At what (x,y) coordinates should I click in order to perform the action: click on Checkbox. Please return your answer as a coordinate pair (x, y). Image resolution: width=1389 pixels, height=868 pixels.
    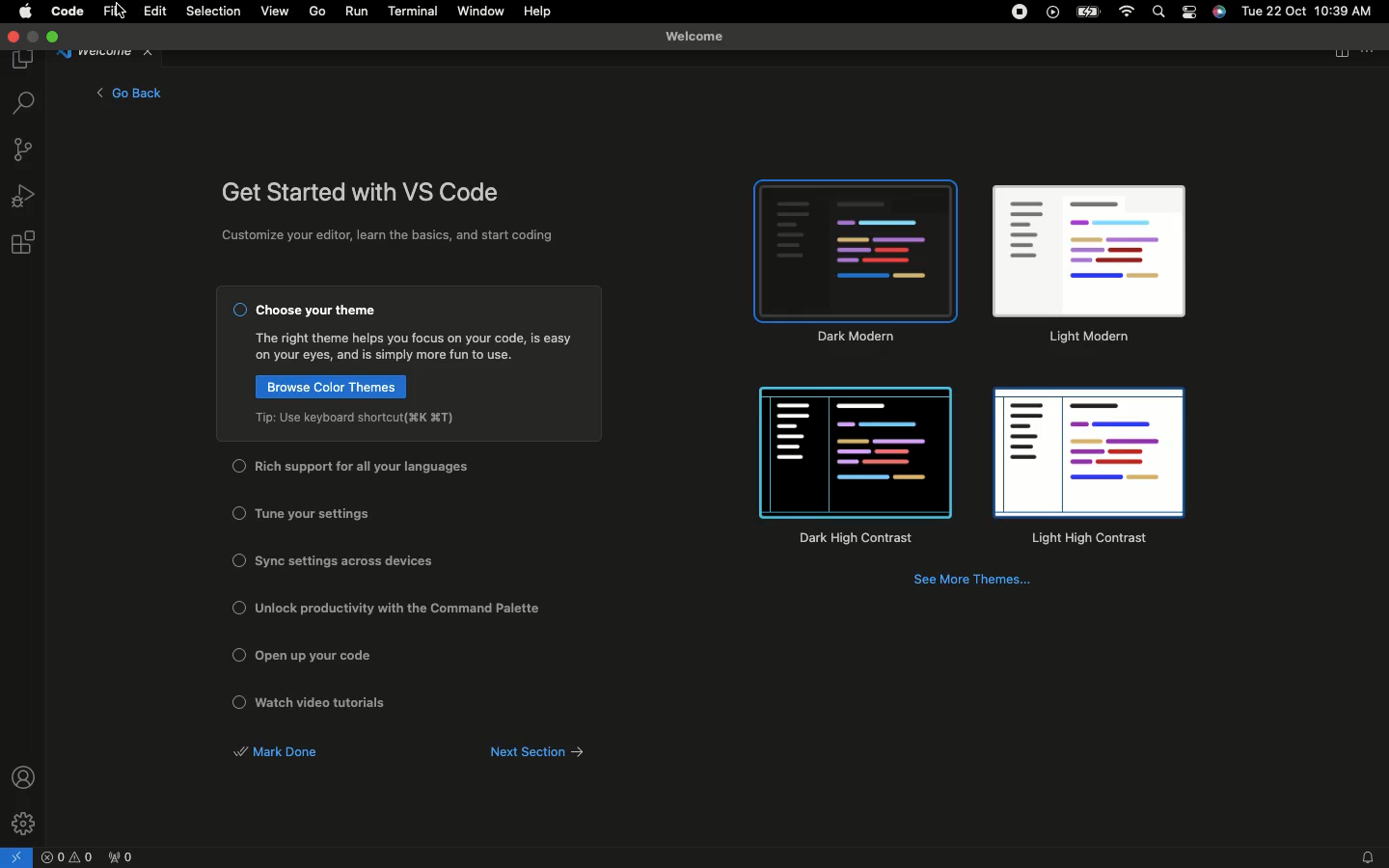
    Looking at the image, I should click on (239, 312).